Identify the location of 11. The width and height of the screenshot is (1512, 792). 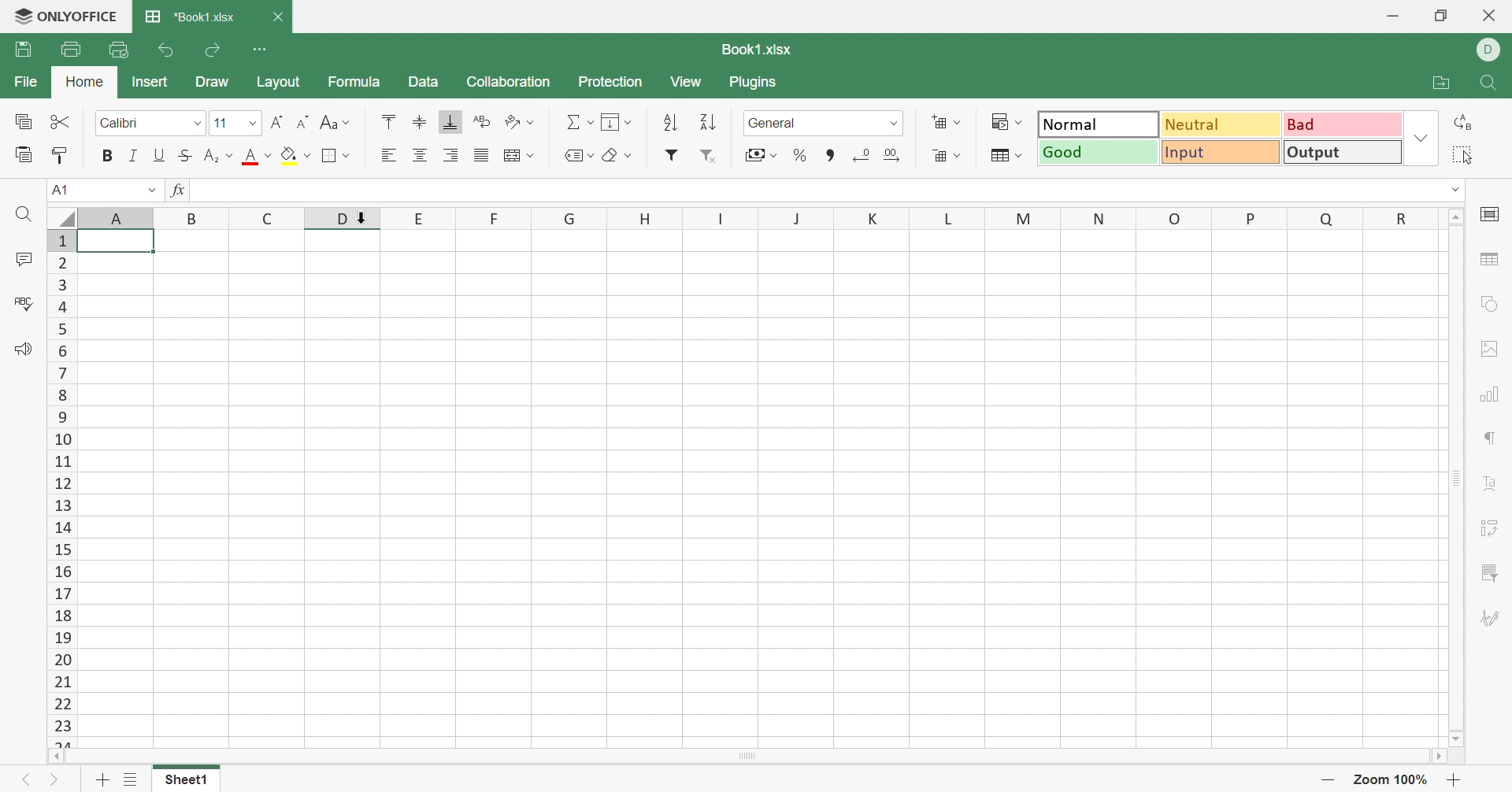
(220, 122).